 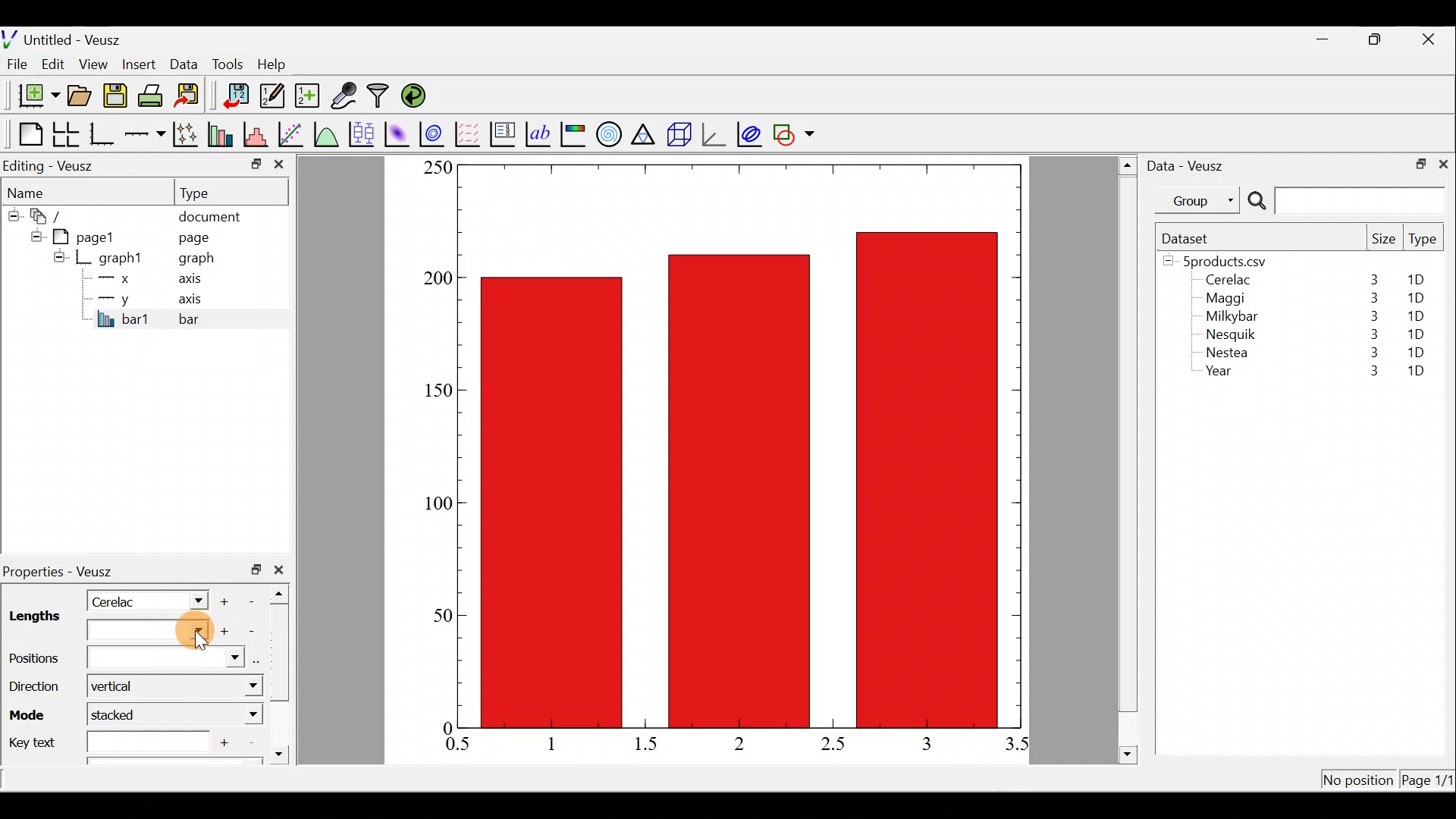 I want to click on 100, so click(x=434, y=506).